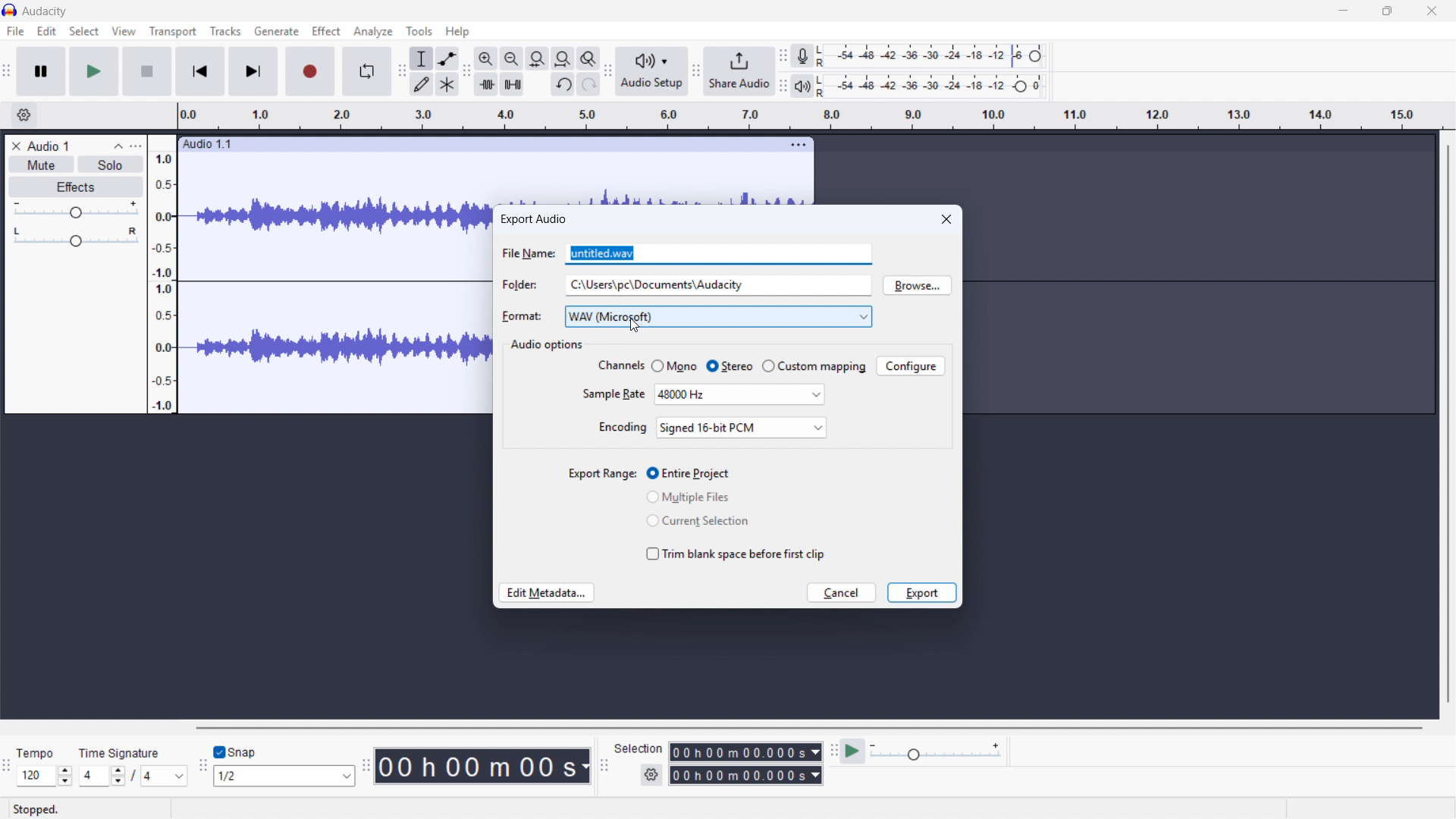 This screenshot has height=819, width=1456. Describe the element at coordinates (802, 56) in the screenshot. I see `Recording metre ` at that location.